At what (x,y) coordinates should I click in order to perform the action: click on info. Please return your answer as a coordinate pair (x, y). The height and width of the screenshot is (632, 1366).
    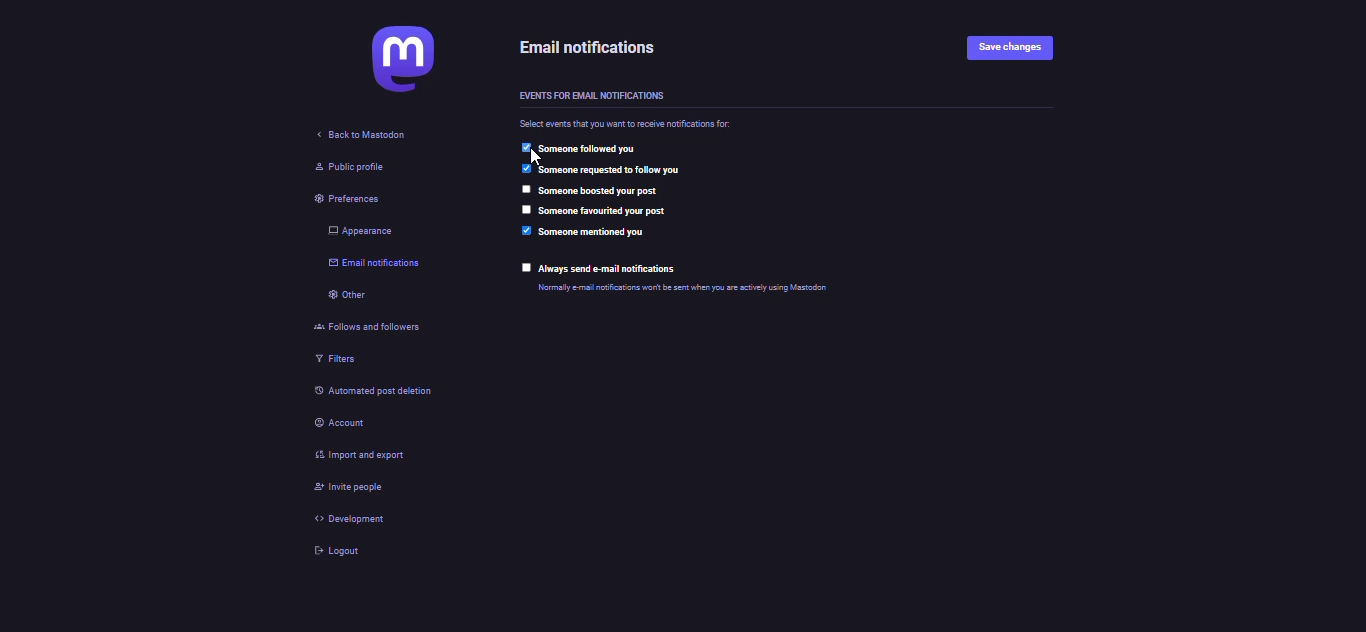
    Looking at the image, I should click on (682, 288).